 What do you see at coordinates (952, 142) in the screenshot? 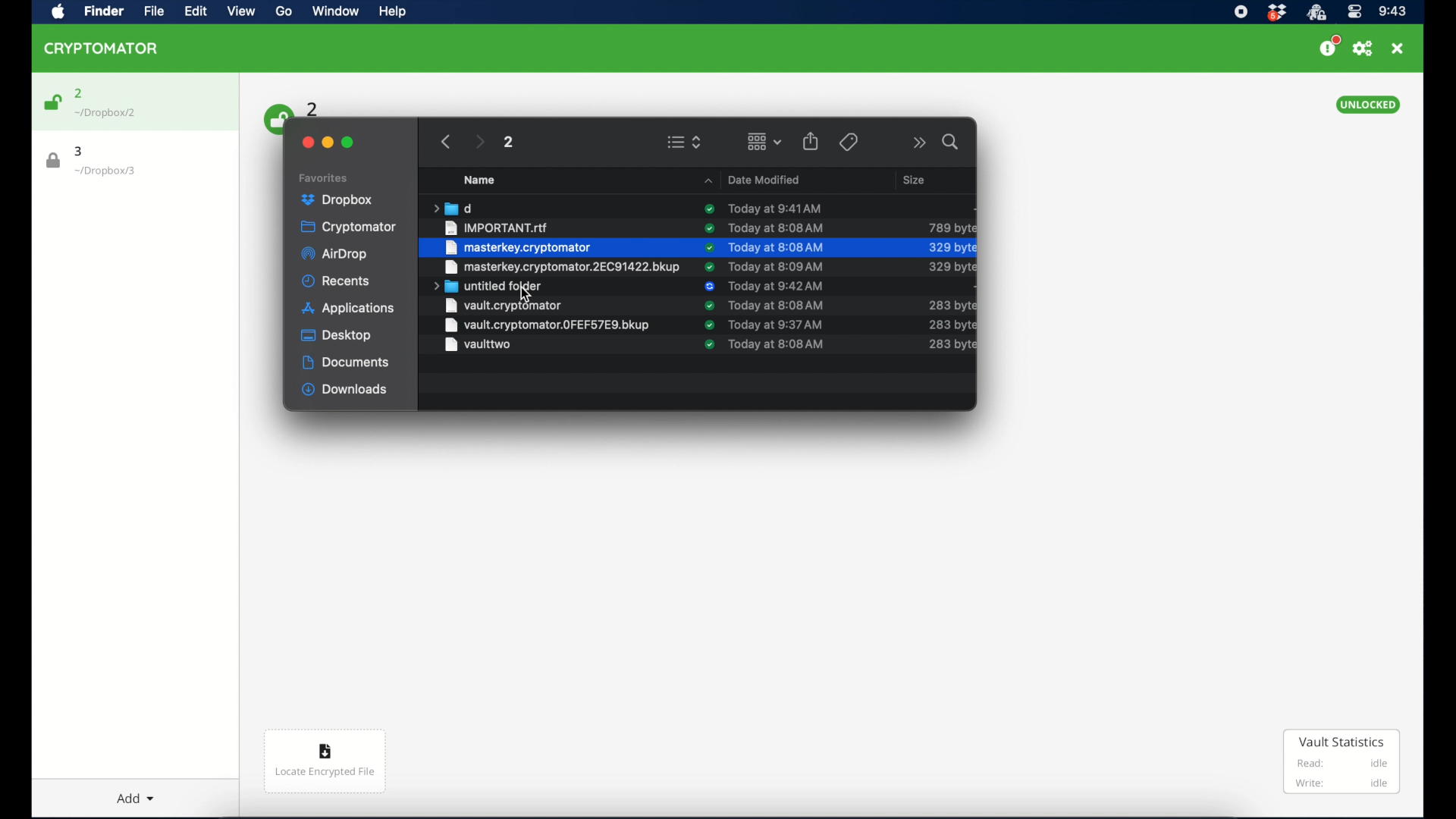
I see `search` at bounding box center [952, 142].